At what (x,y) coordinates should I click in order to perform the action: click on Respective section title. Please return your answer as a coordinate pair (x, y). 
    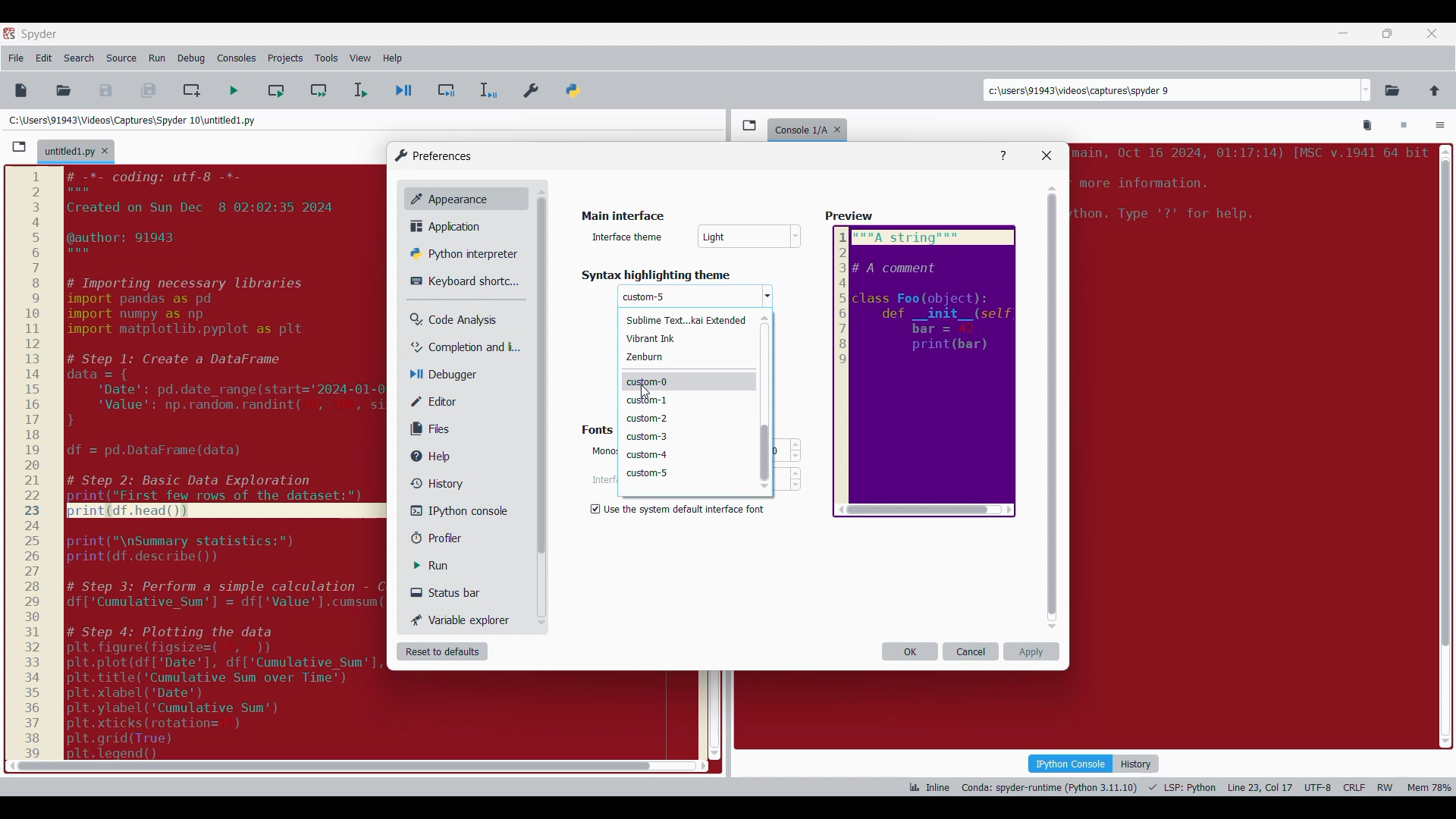
    Looking at the image, I should click on (698, 275).